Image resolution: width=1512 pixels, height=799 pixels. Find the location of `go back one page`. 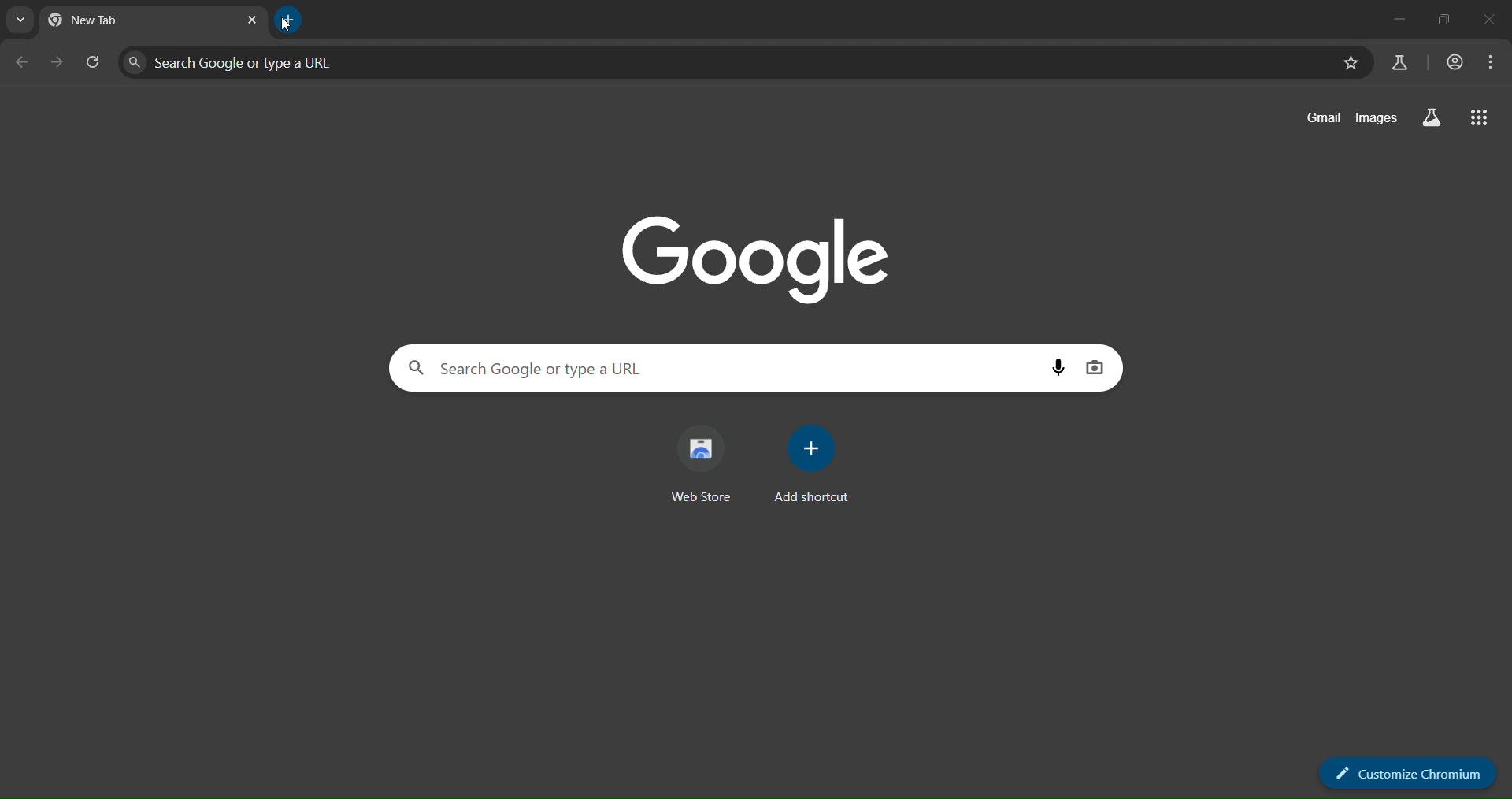

go back one page is located at coordinates (24, 63).